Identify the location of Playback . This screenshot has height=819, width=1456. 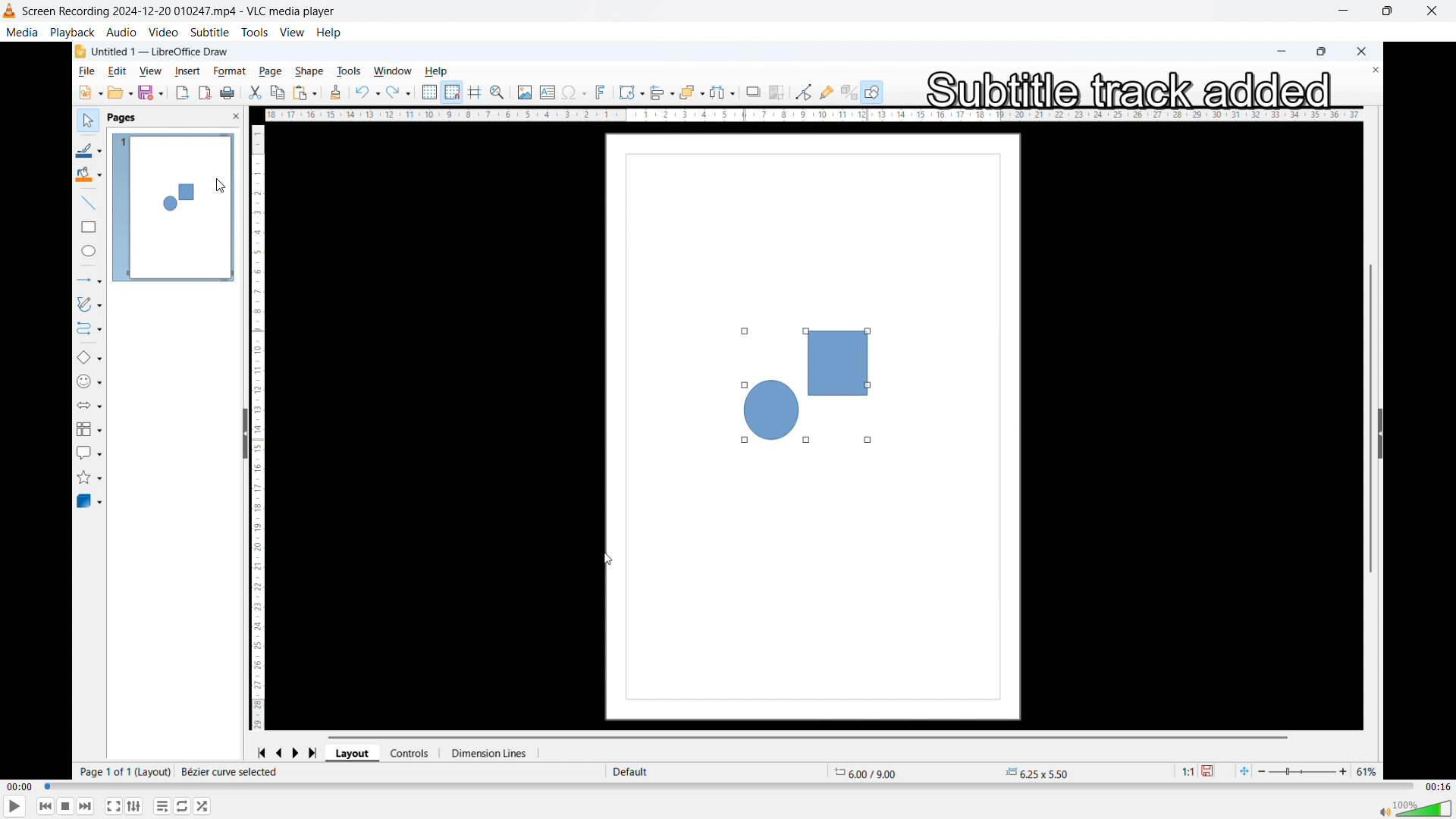
(72, 31).